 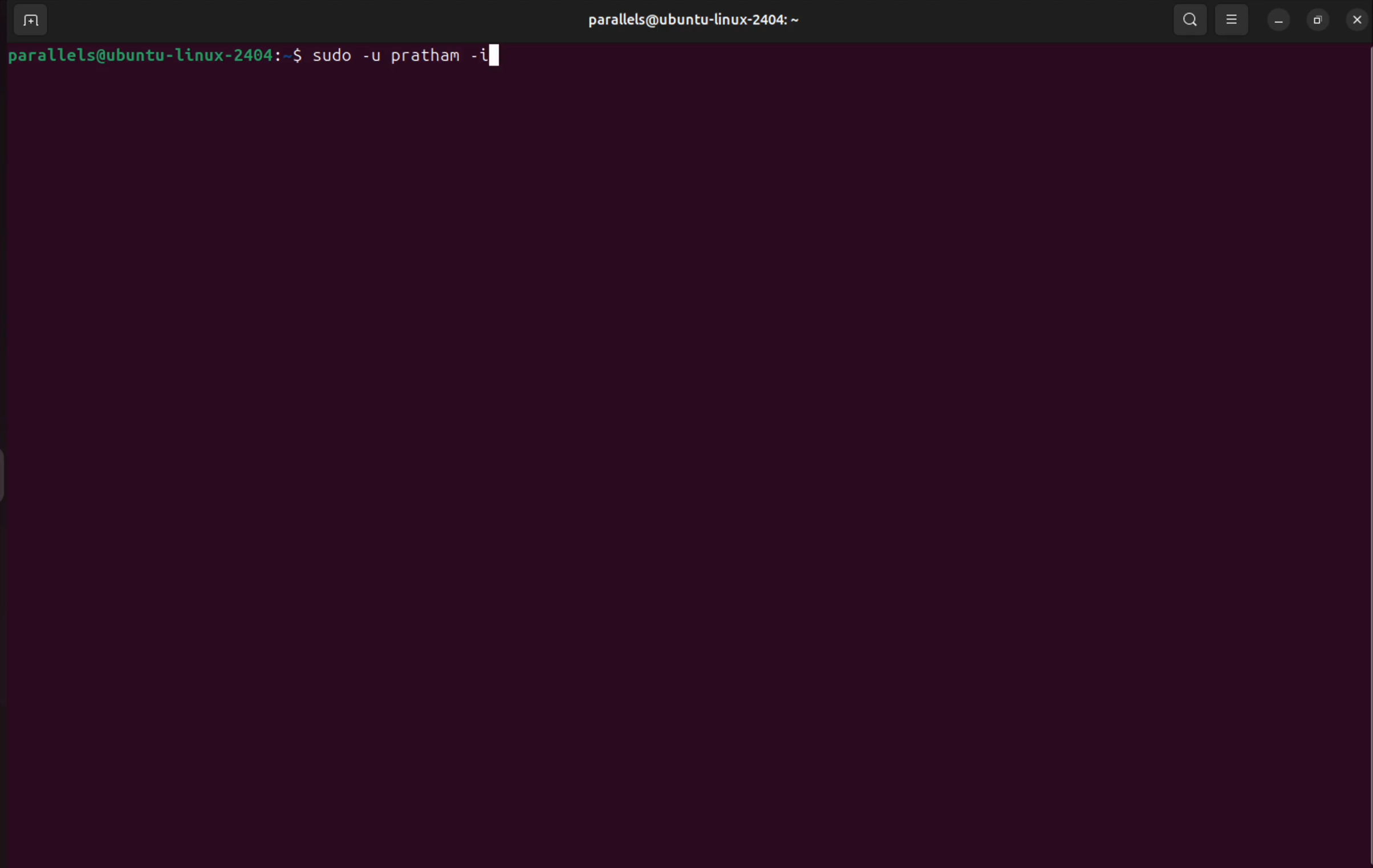 I want to click on bash prompt, so click(x=152, y=52).